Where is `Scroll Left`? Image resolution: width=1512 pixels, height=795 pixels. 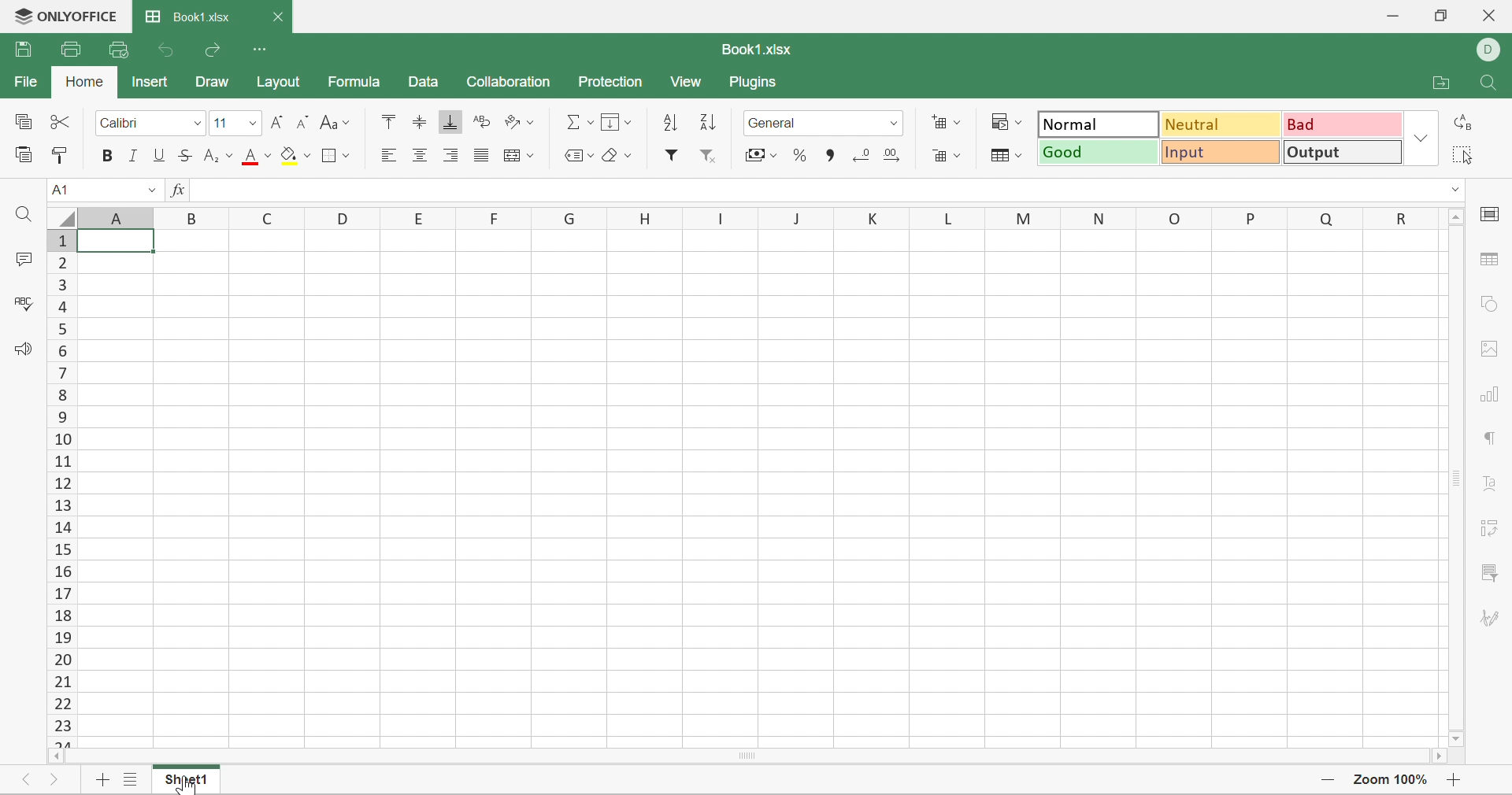
Scroll Left is located at coordinates (54, 755).